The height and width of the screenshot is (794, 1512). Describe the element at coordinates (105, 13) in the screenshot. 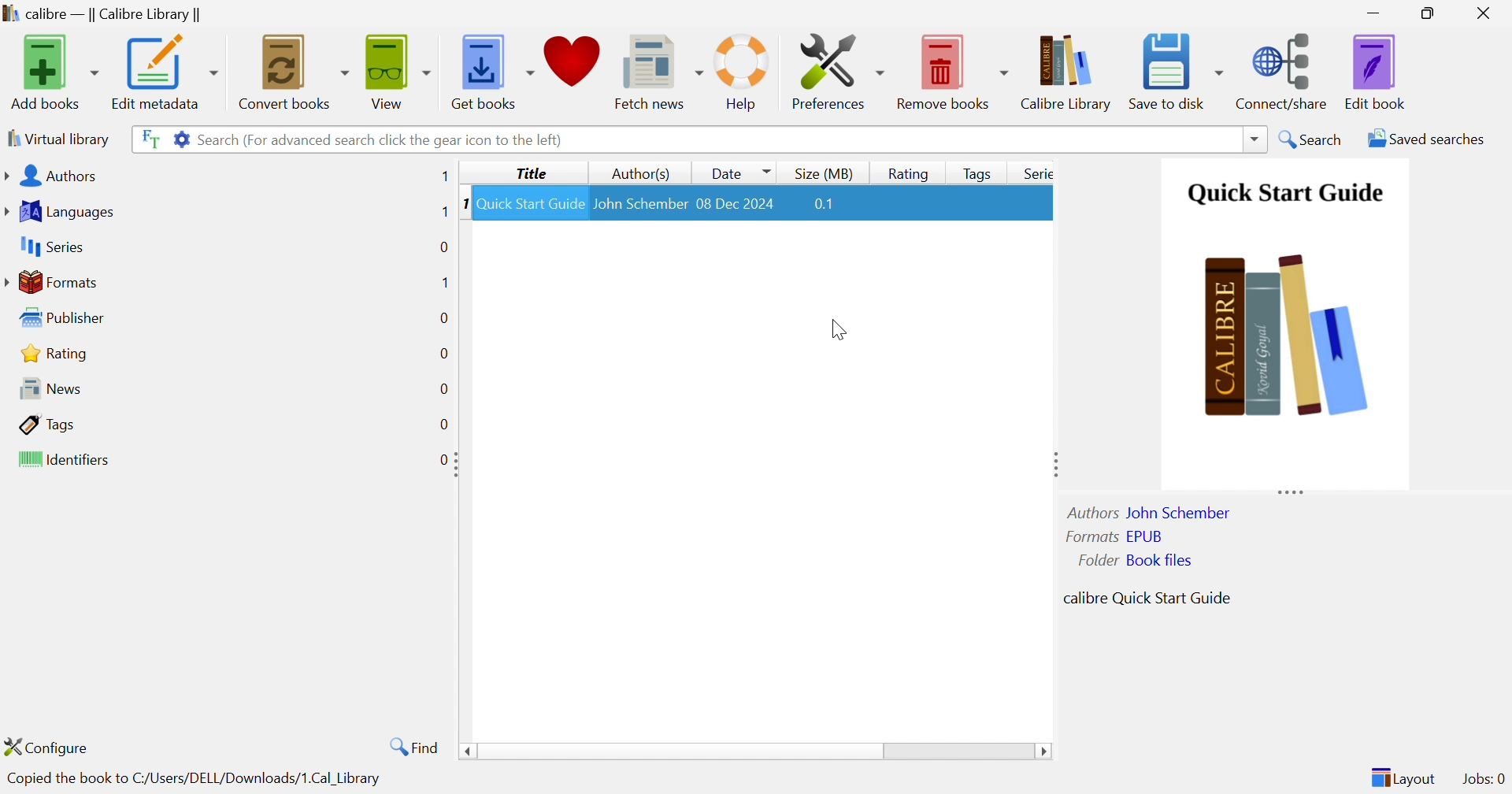

I see `calibre - || Calibre Library||` at that location.